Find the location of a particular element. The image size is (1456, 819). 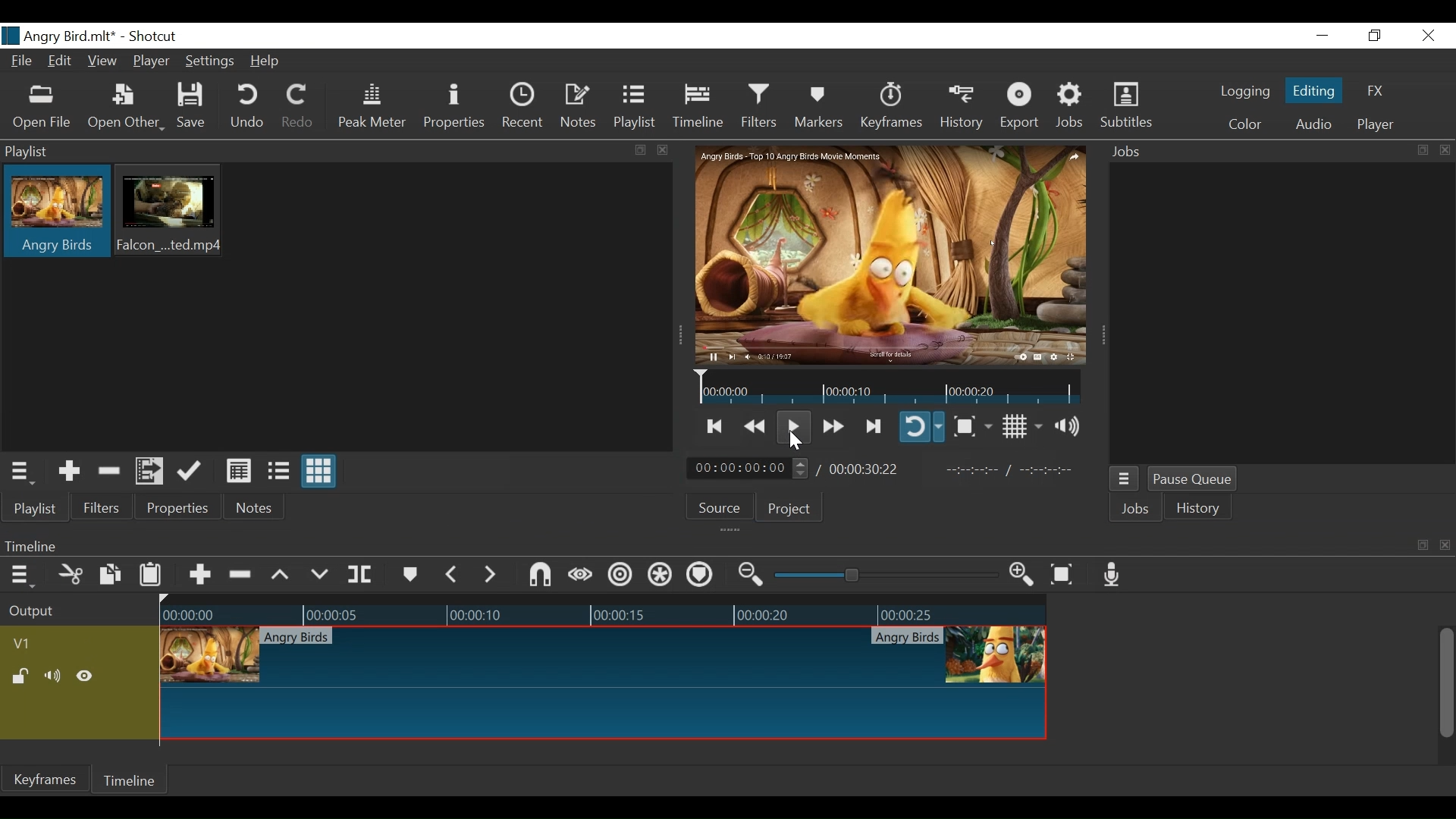

Jobs Panel is located at coordinates (1281, 313).